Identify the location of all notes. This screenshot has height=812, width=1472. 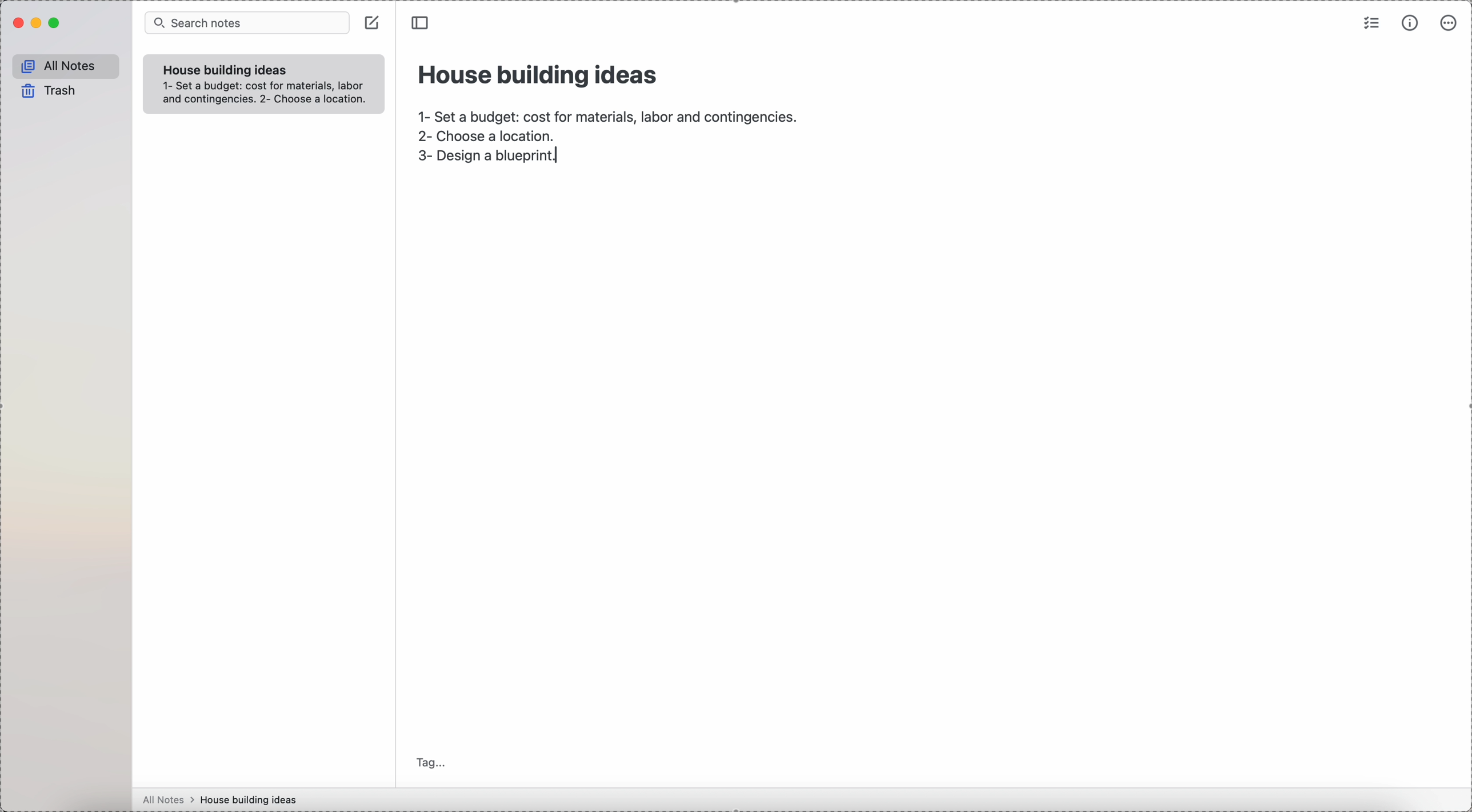
(66, 66).